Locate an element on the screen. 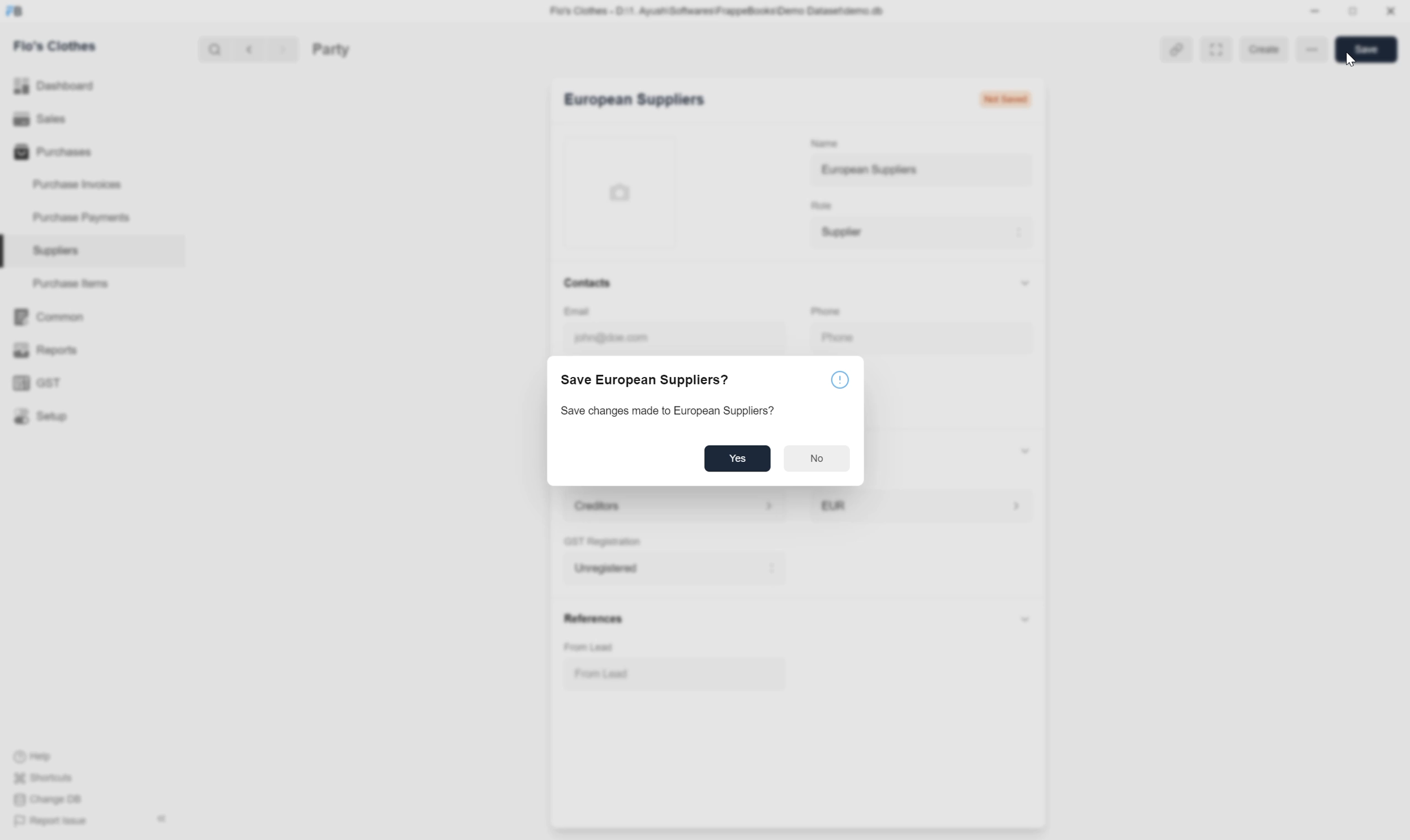 The width and height of the screenshot is (1410, 840). change DB is located at coordinates (48, 799).